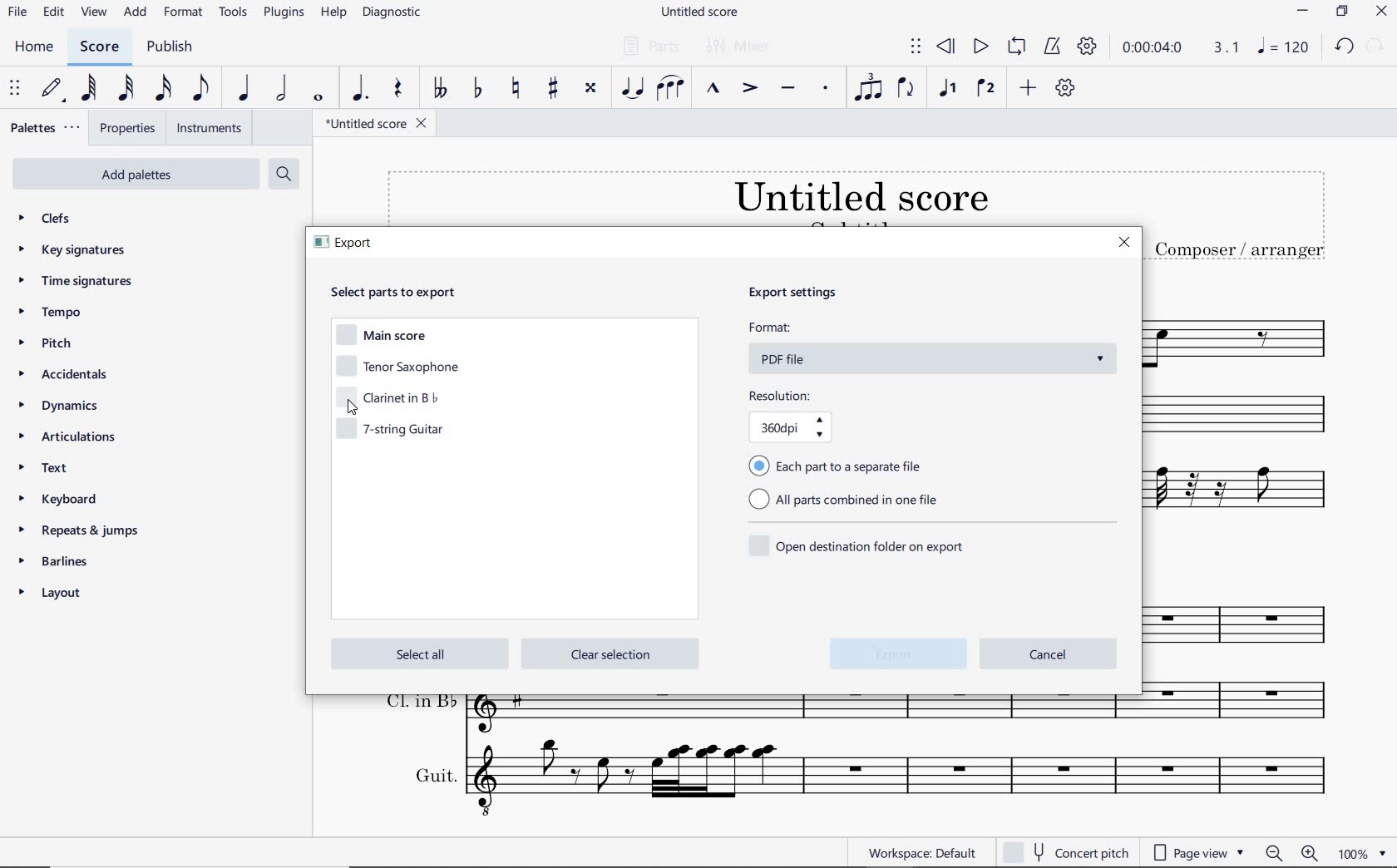 Image resolution: width=1397 pixels, height=868 pixels. Describe the element at coordinates (62, 498) in the screenshot. I see `keyboard` at that location.